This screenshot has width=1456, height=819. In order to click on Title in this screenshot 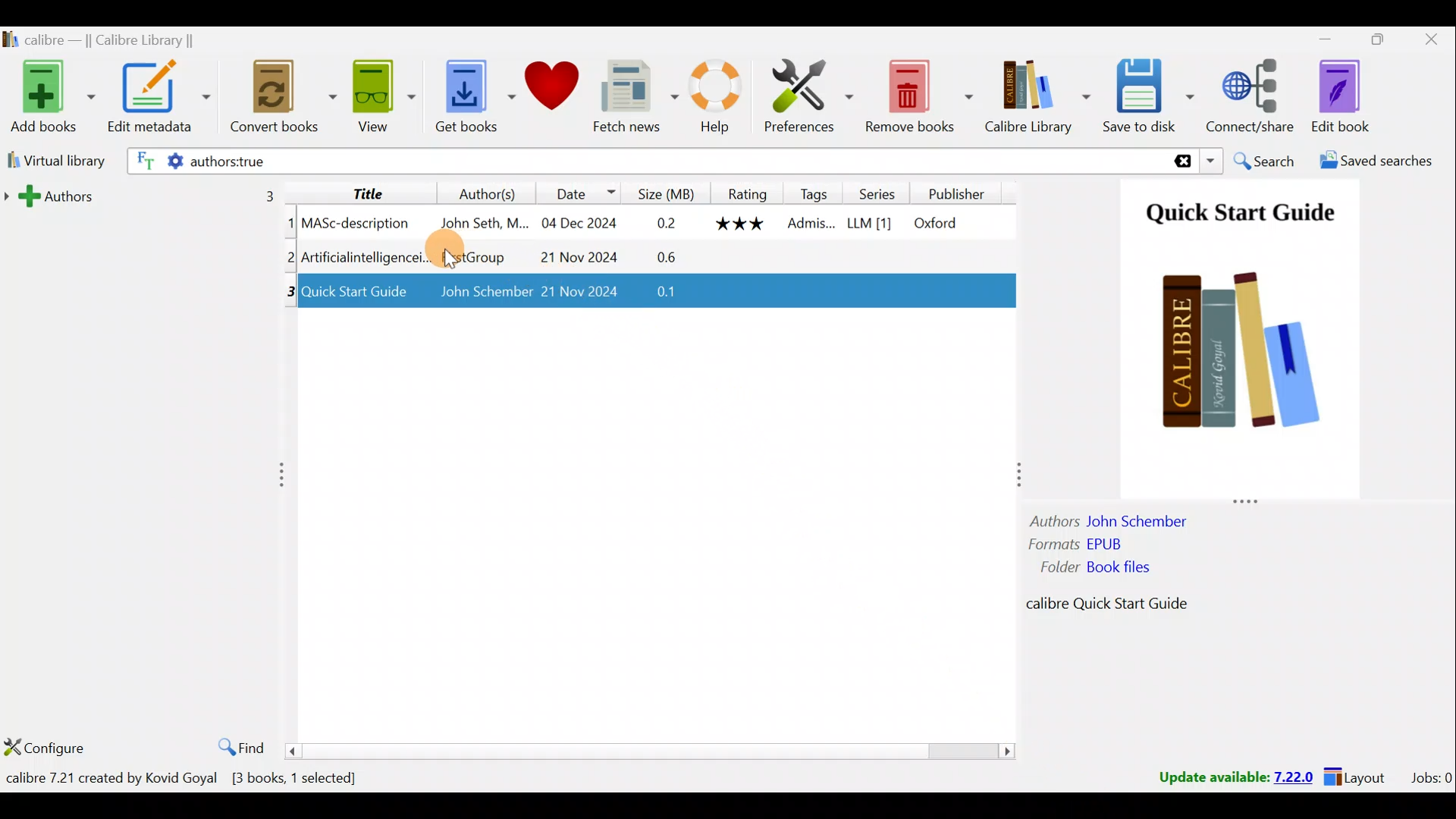, I will do `click(362, 191)`.